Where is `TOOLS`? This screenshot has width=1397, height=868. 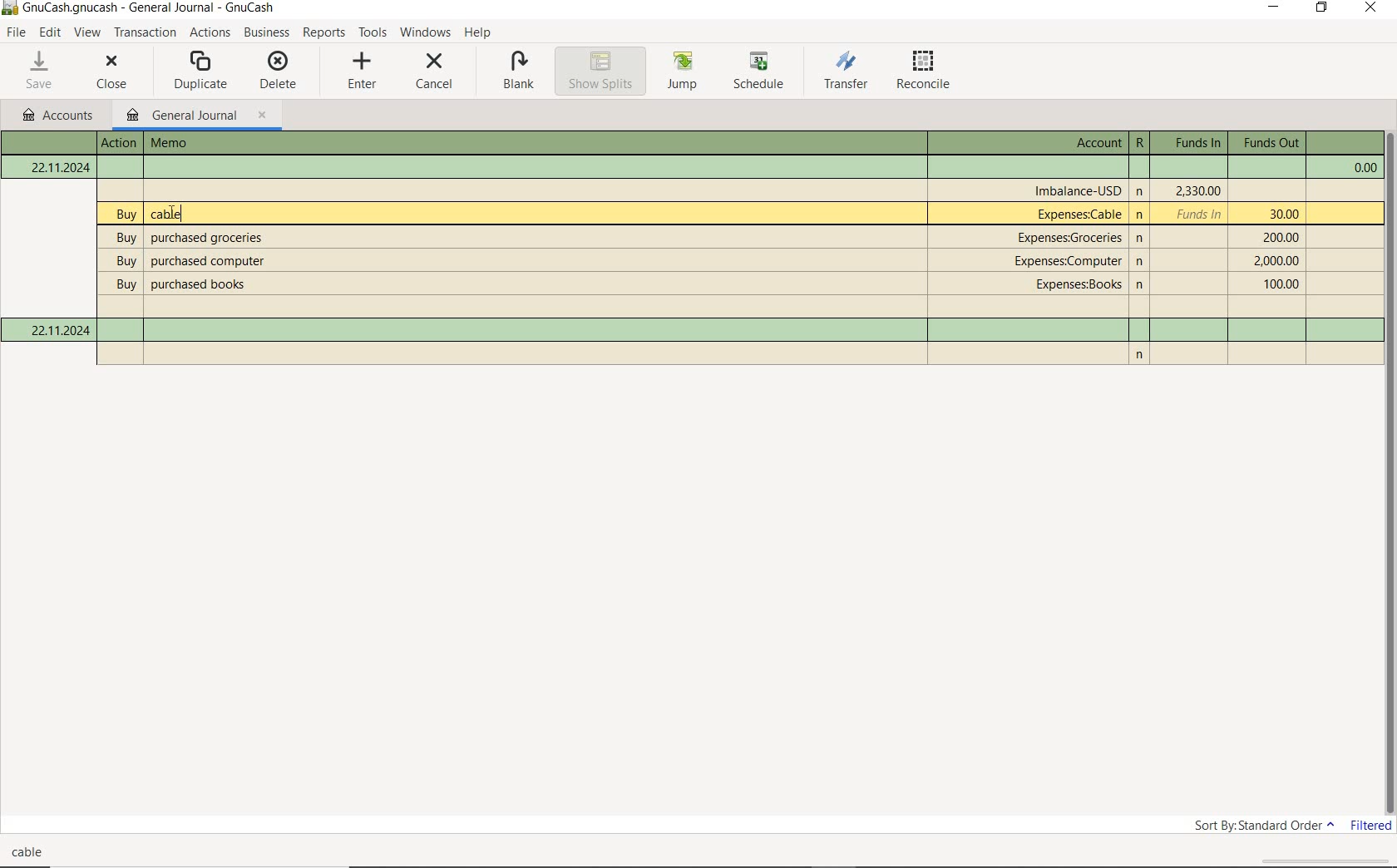 TOOLS is located at coordinates (373, 33).